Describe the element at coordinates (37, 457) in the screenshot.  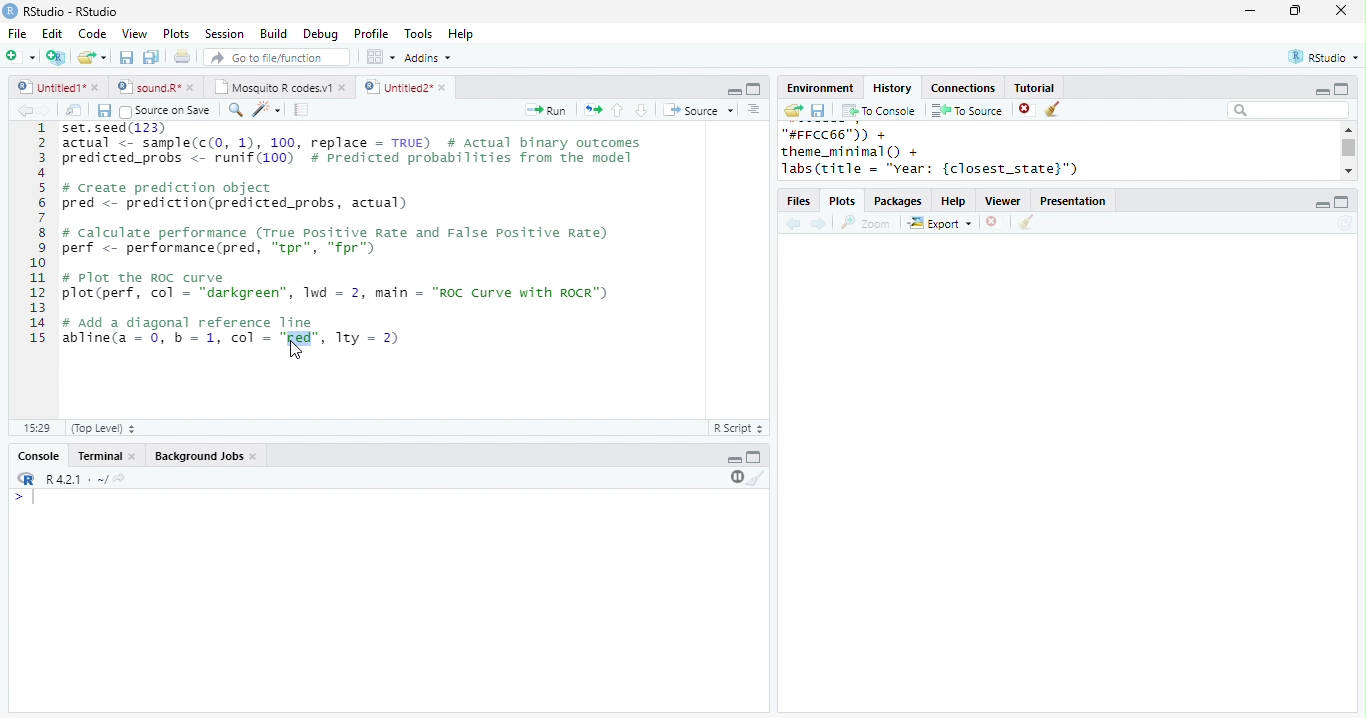
I see `console` at that location.